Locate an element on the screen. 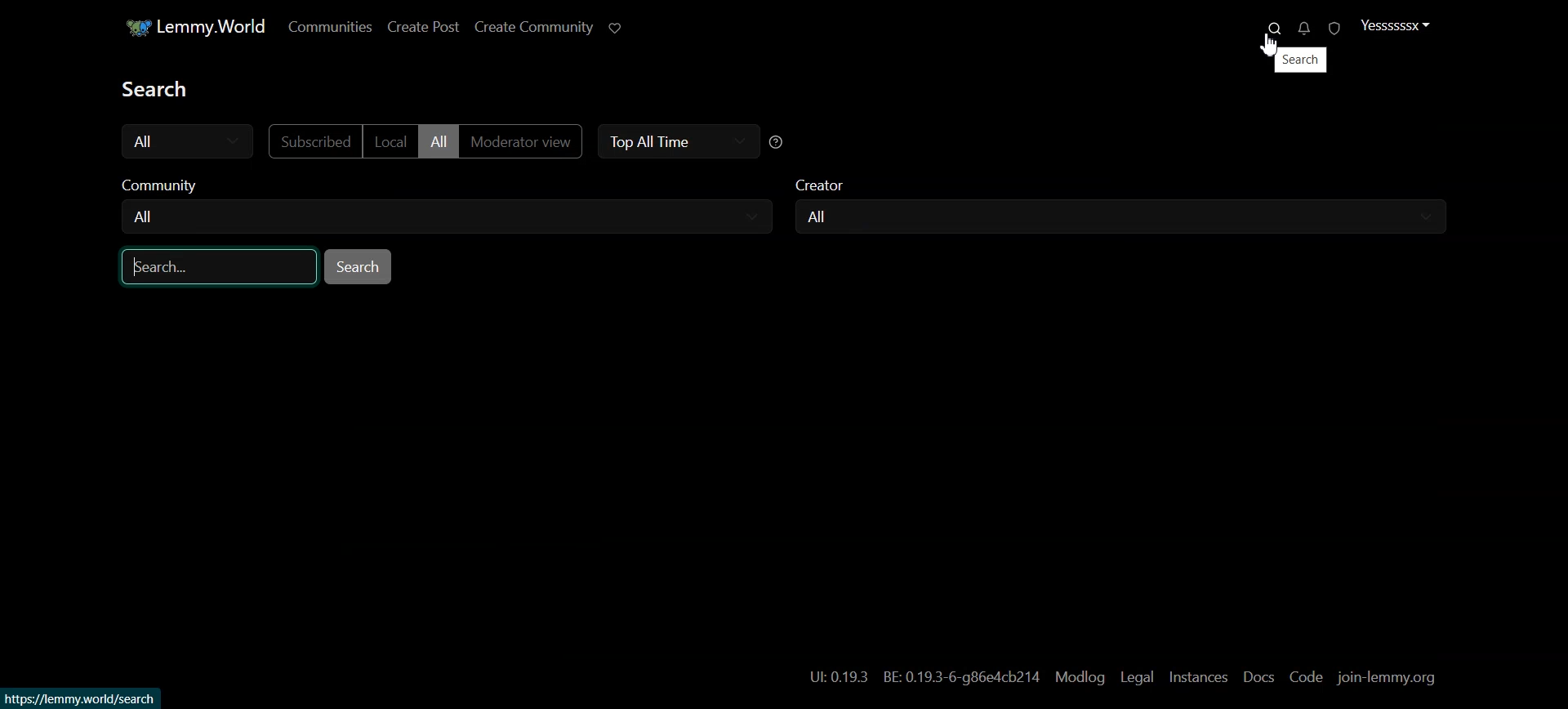 The image size is (1568, 709). Sorting help is located at coordinates (777, 142).